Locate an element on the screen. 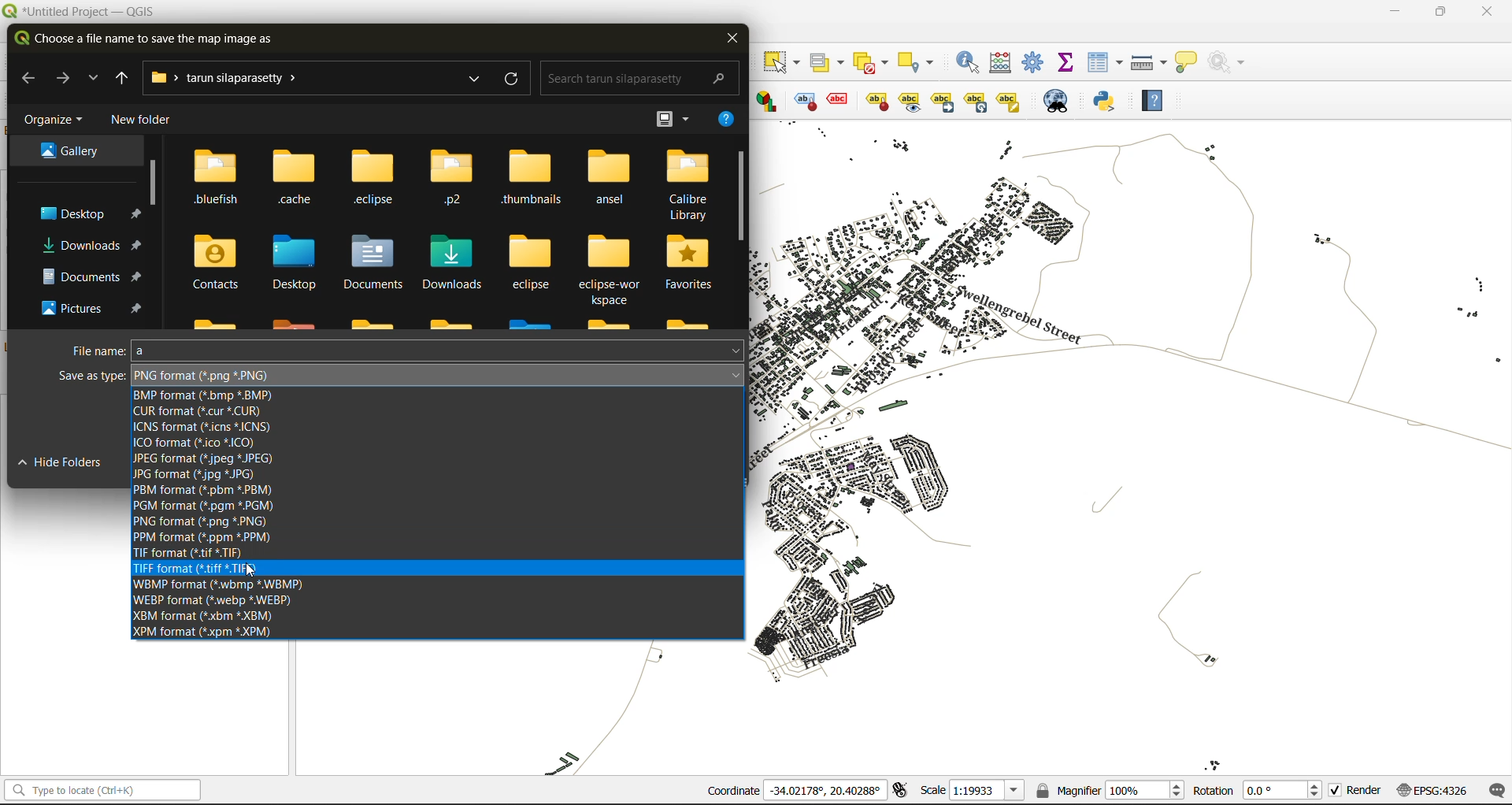 This screenshot has width=1512, height=805. select value is located at coordinates (828, 59).